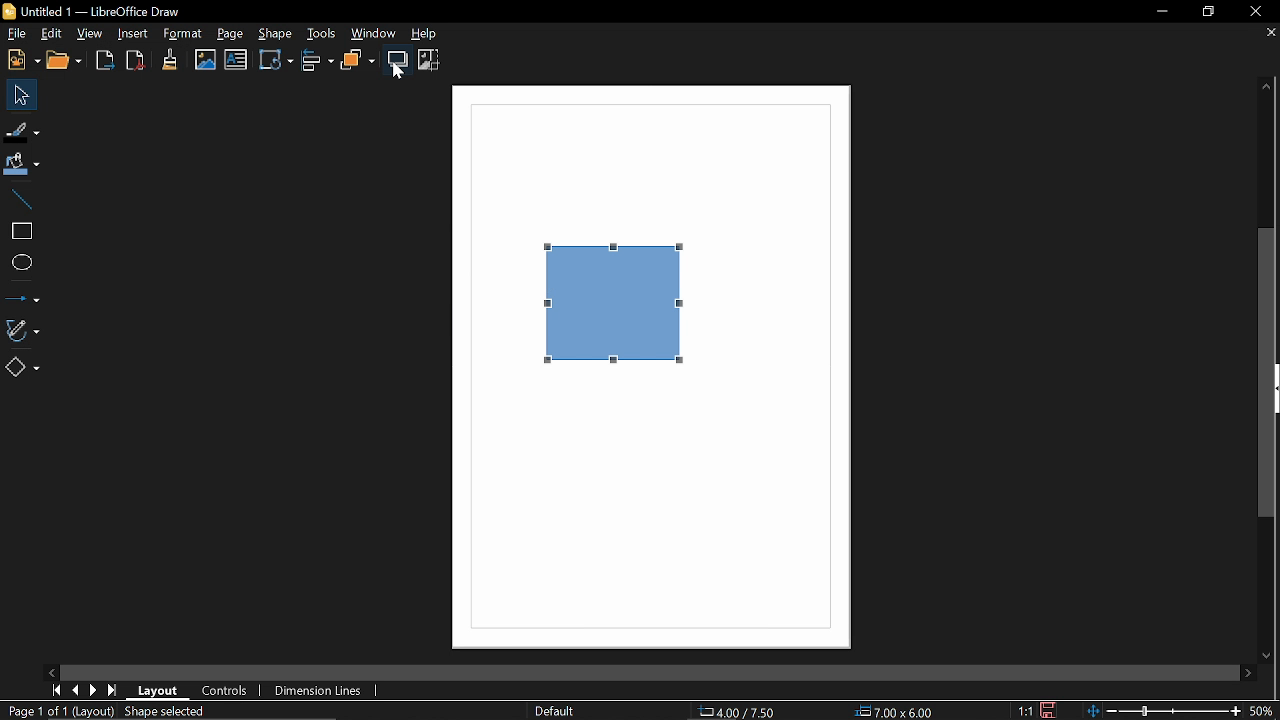  Describe the element at coordinates (1265, 88) in the screenshot. I see `Move up` at that location.